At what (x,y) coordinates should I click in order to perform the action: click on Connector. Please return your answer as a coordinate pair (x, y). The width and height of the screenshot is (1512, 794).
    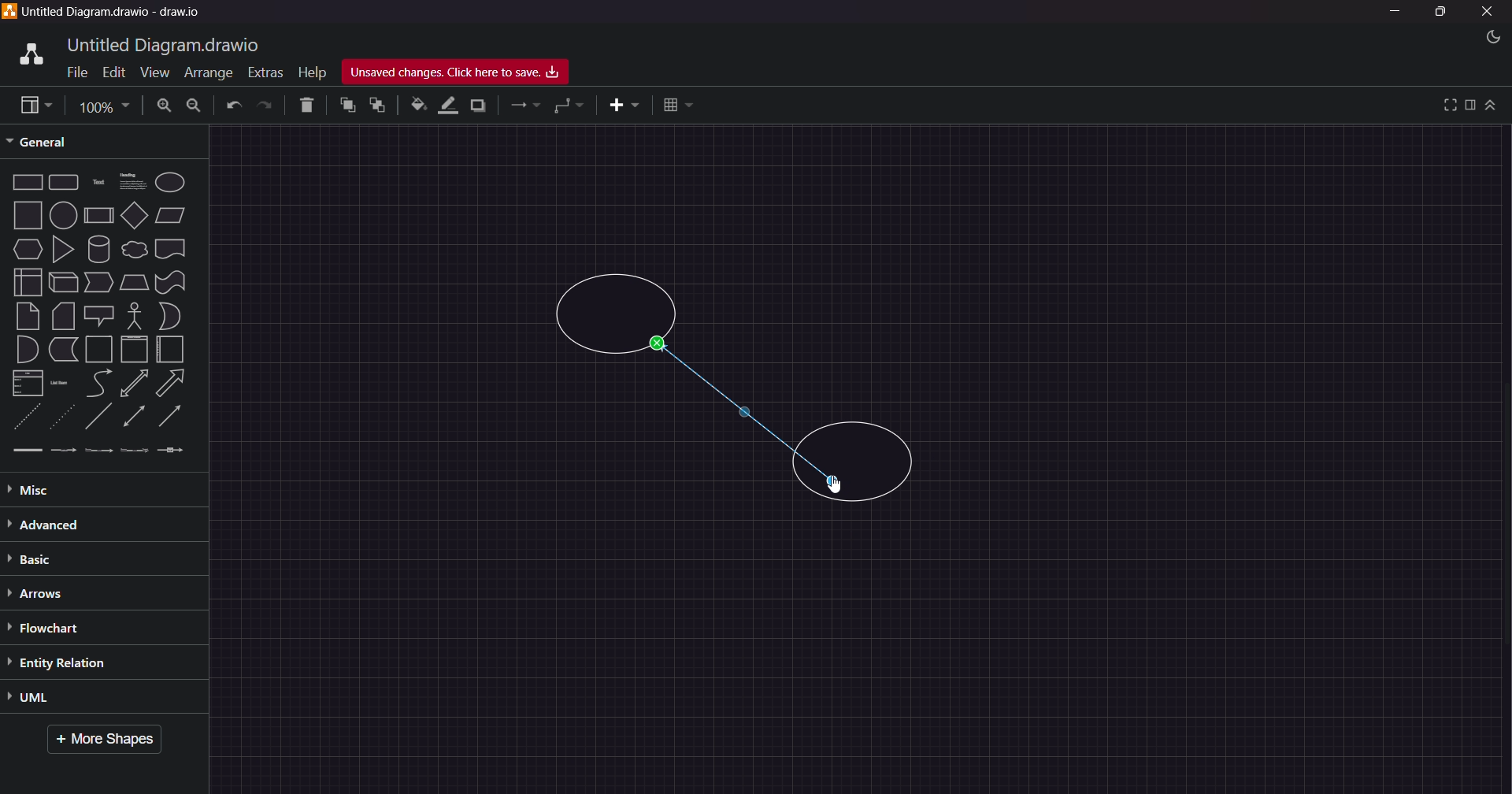
    Looking at the image, I should click on (742, 410).